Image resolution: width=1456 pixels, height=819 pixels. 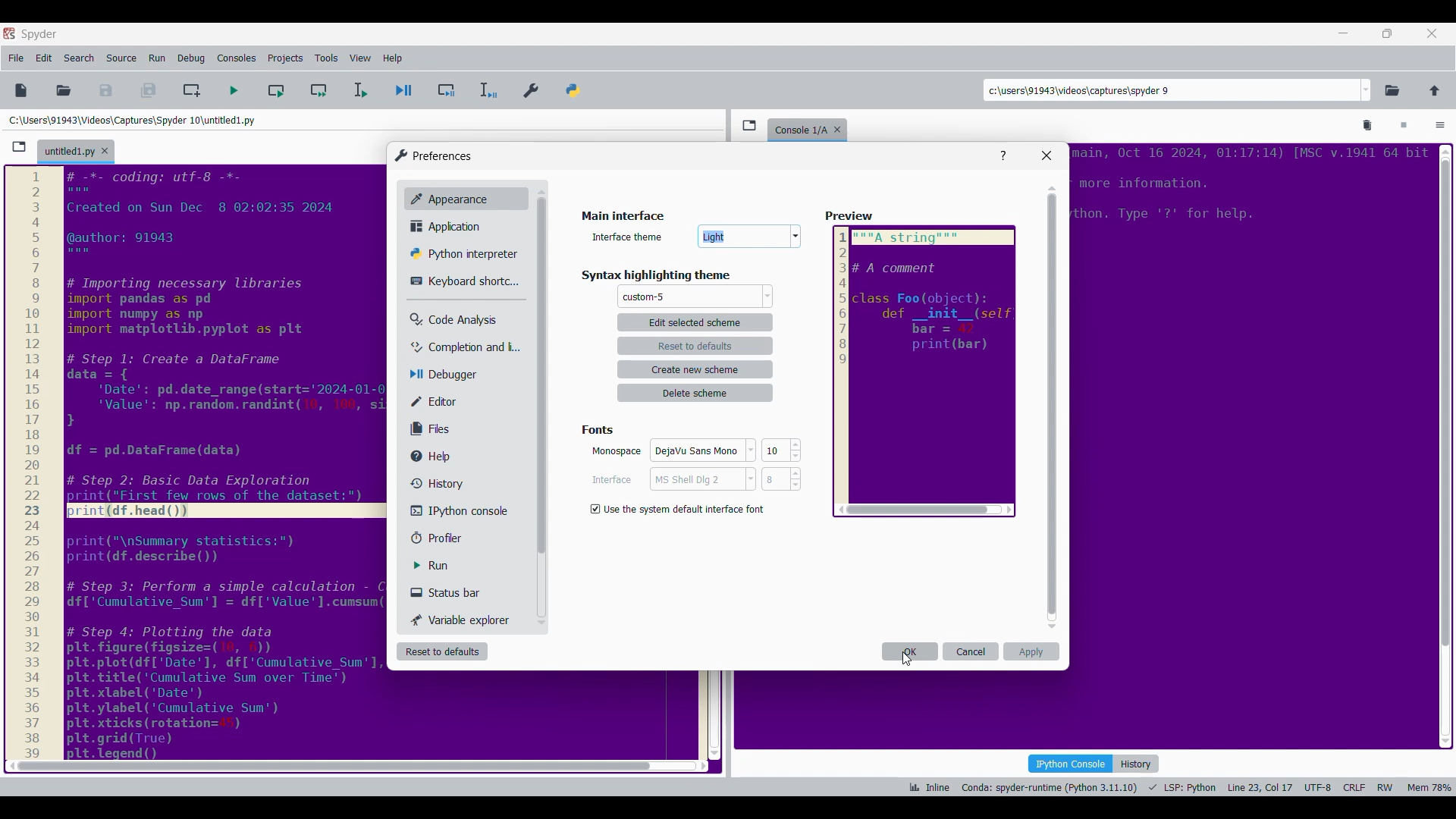 I want to click on Run selection/current line, so click(x=359, y=90).